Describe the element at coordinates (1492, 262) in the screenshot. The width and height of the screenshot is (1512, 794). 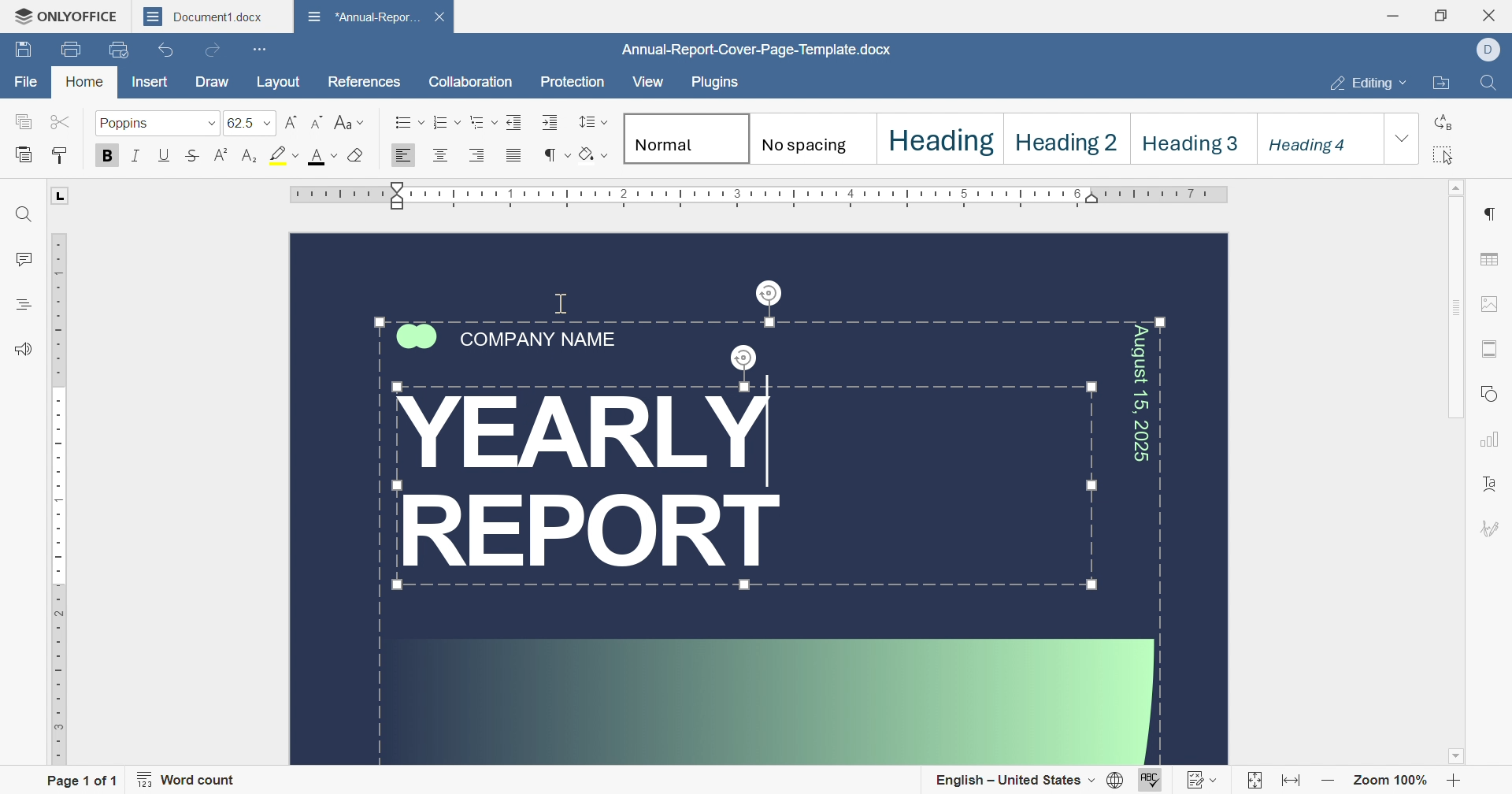
I see `table settings` at that location.